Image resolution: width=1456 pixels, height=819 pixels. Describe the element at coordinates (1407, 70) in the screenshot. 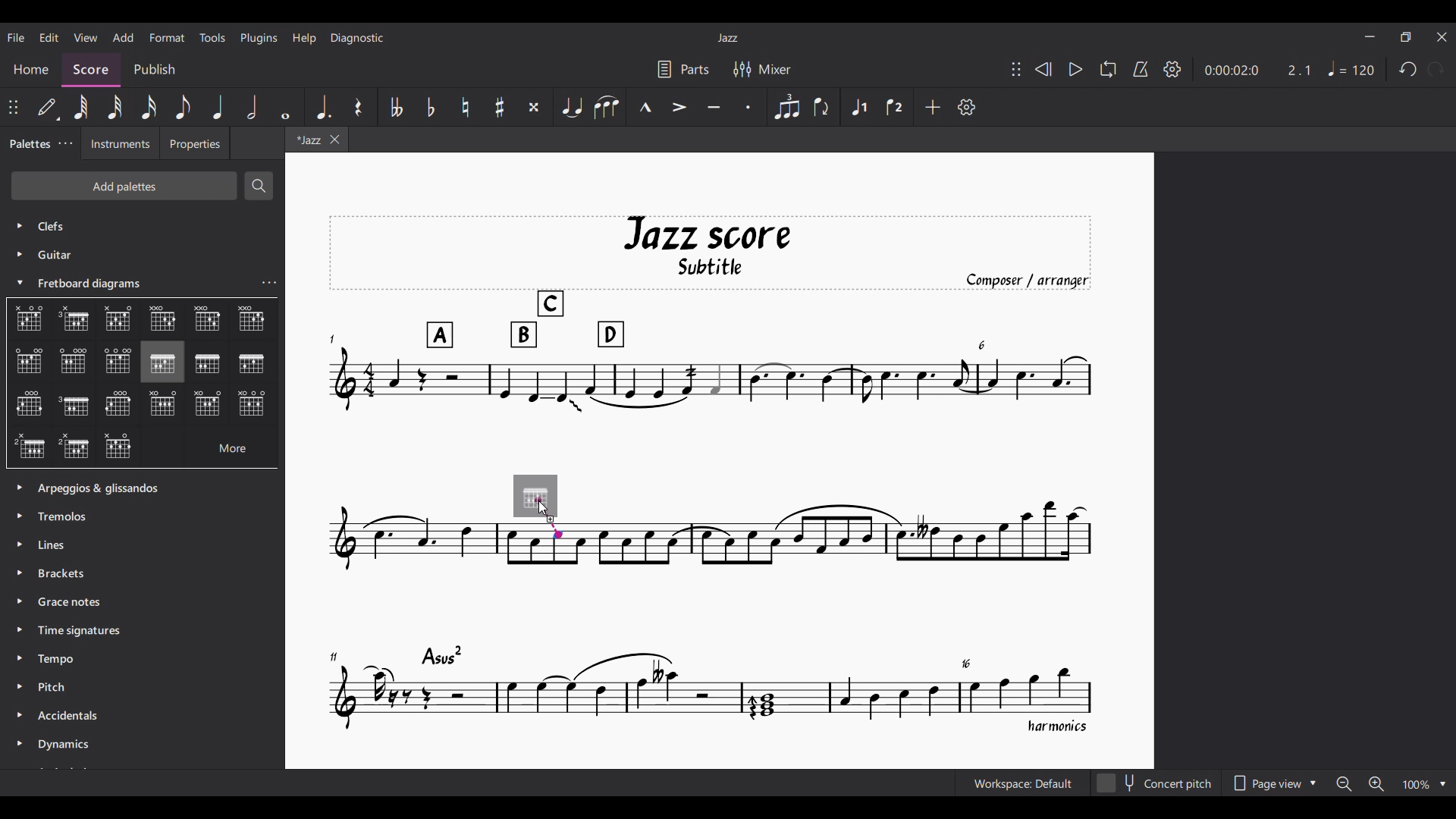

I see `Undo` at that location.